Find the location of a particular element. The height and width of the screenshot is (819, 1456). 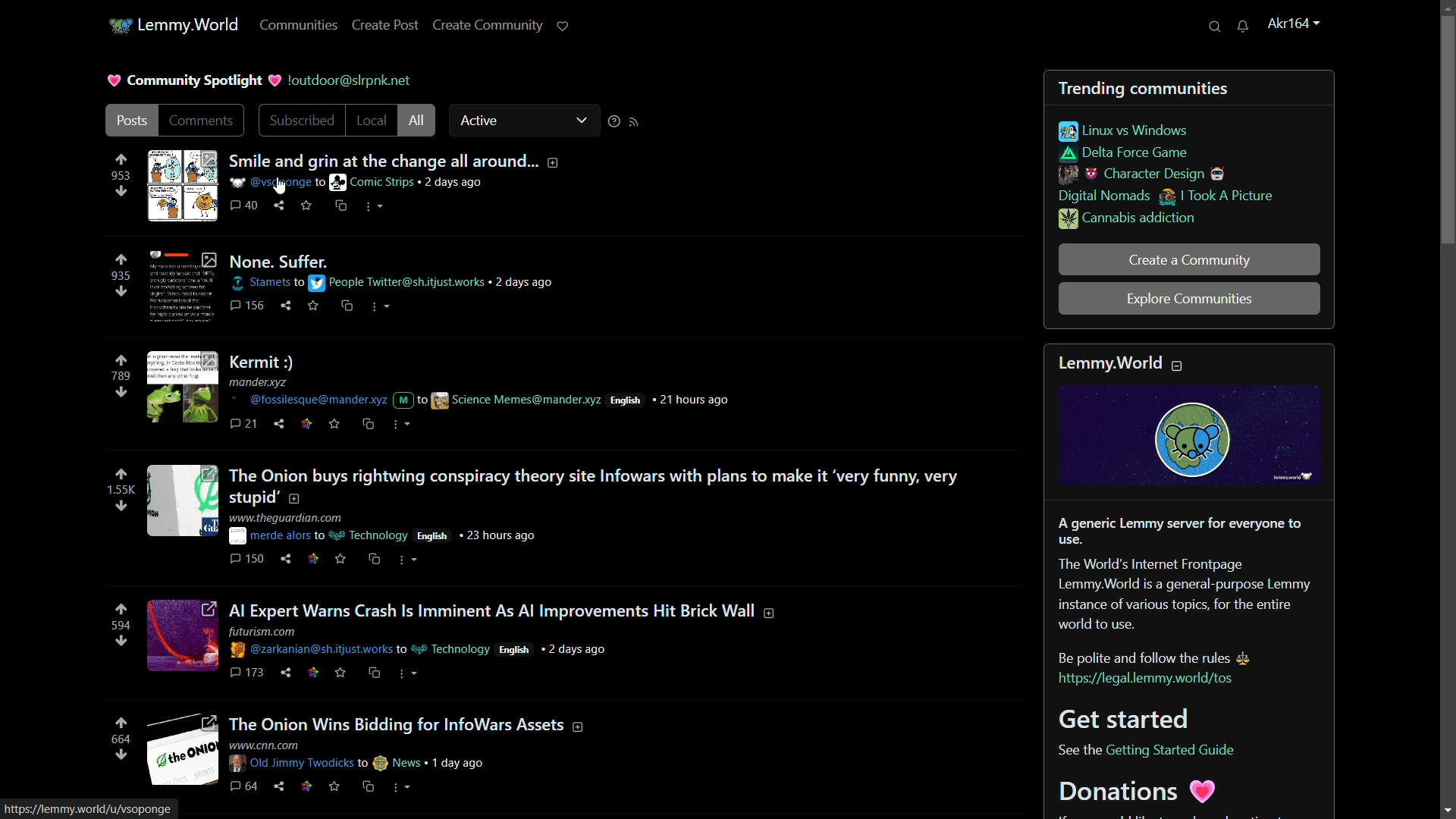

post-5 is located at coordinates (408, 723).